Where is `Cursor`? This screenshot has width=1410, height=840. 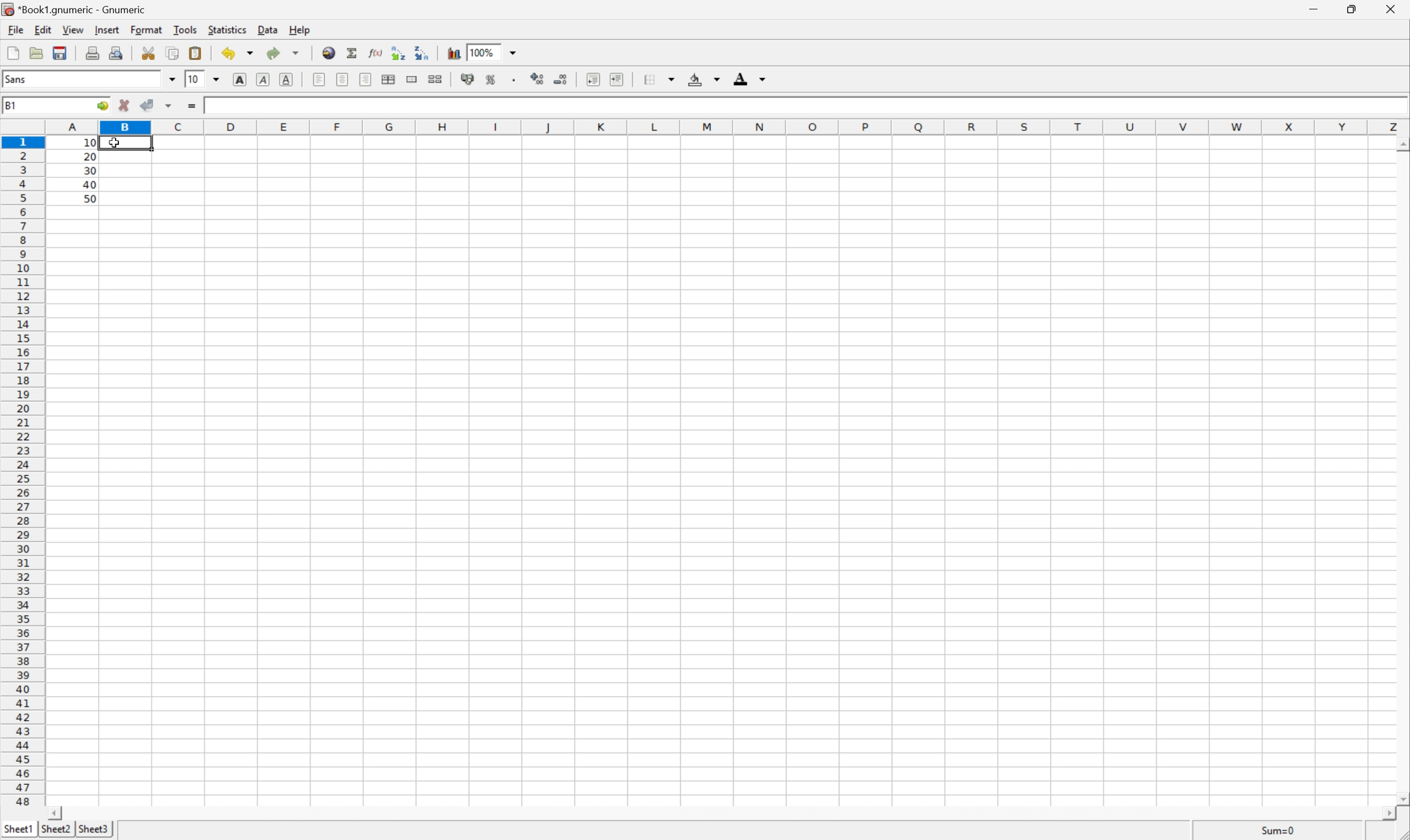 Cursor is located at coordinates (114, 143).